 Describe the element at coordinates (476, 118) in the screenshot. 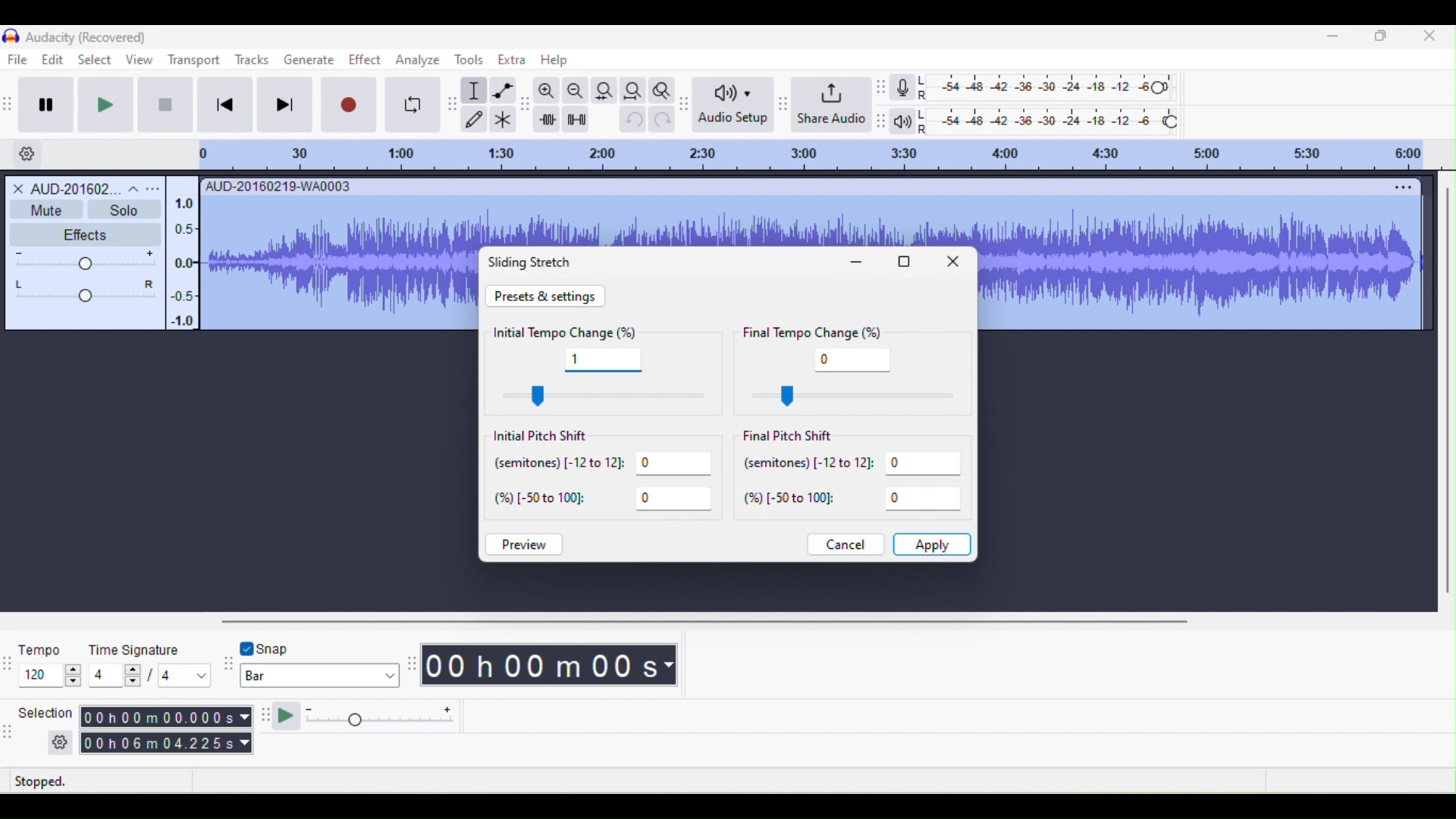

I see `draw tool` at that location.